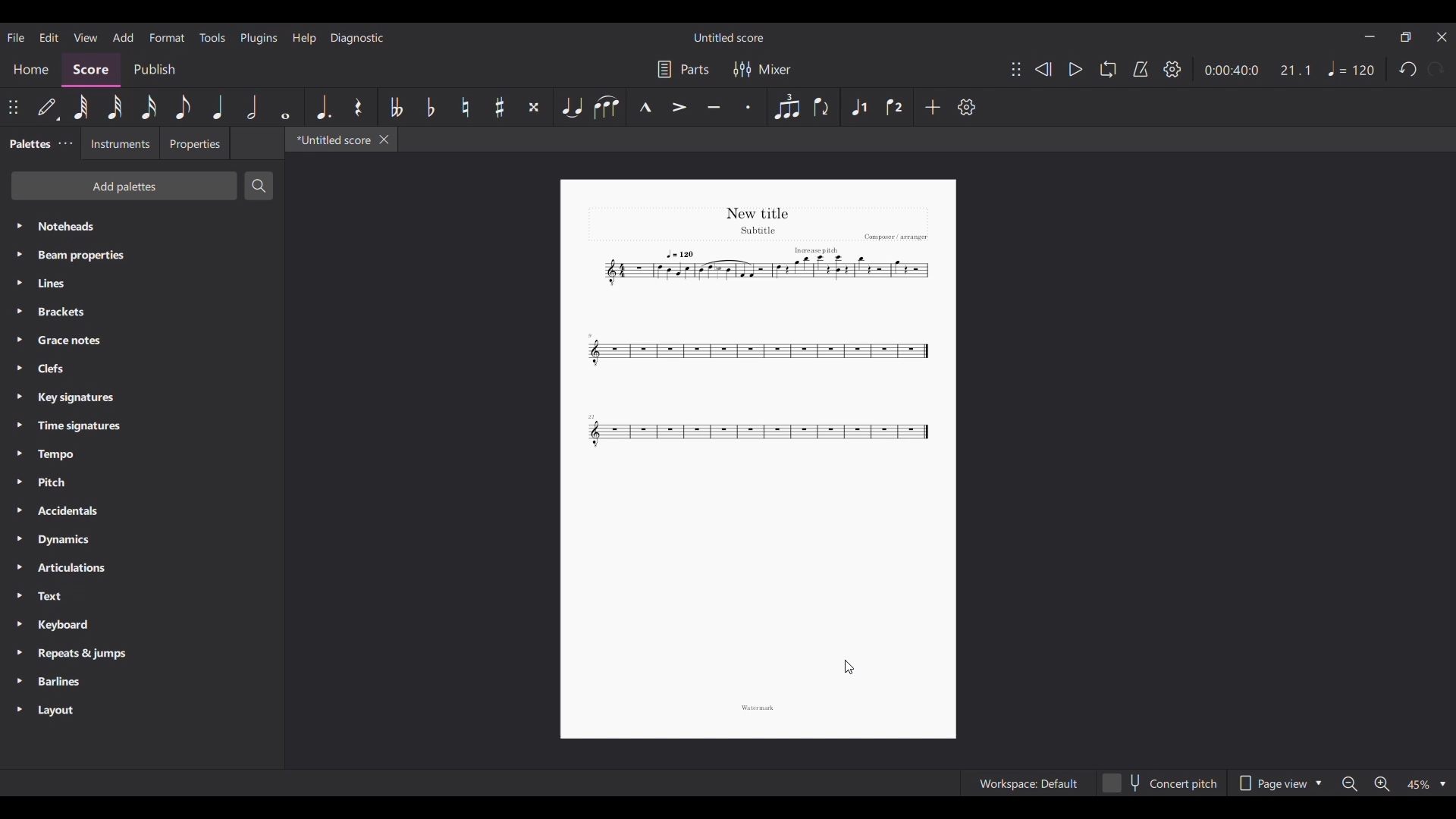 This screenshot has height=819, width=1456. I want to click on Close tab, so click(384, 140).